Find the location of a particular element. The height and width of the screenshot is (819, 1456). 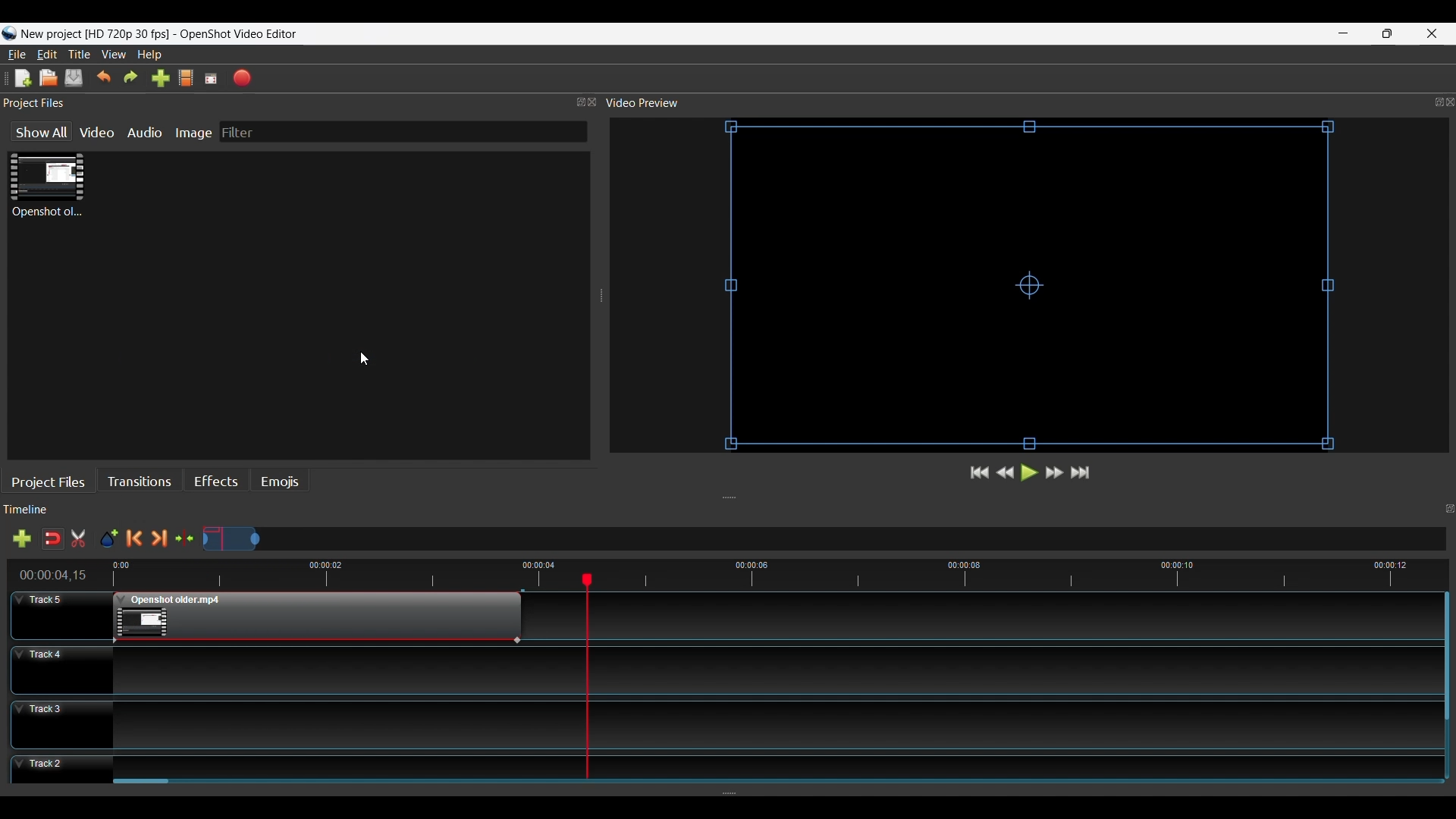

OpenShot Video Editor is located at coordinates (245, 35).